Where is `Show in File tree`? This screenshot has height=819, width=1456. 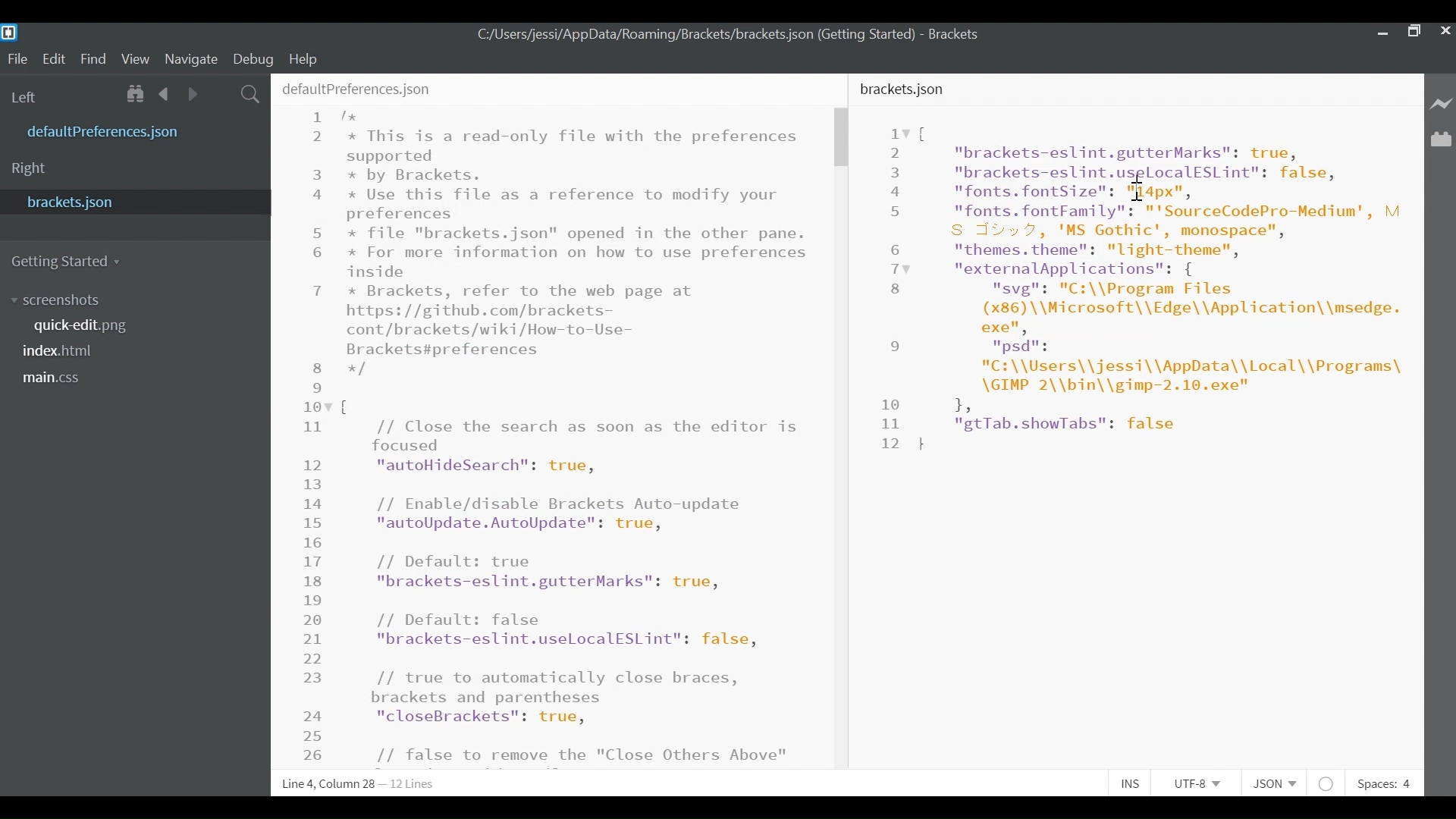
Show in File tree is located at coordinates (135, 94).